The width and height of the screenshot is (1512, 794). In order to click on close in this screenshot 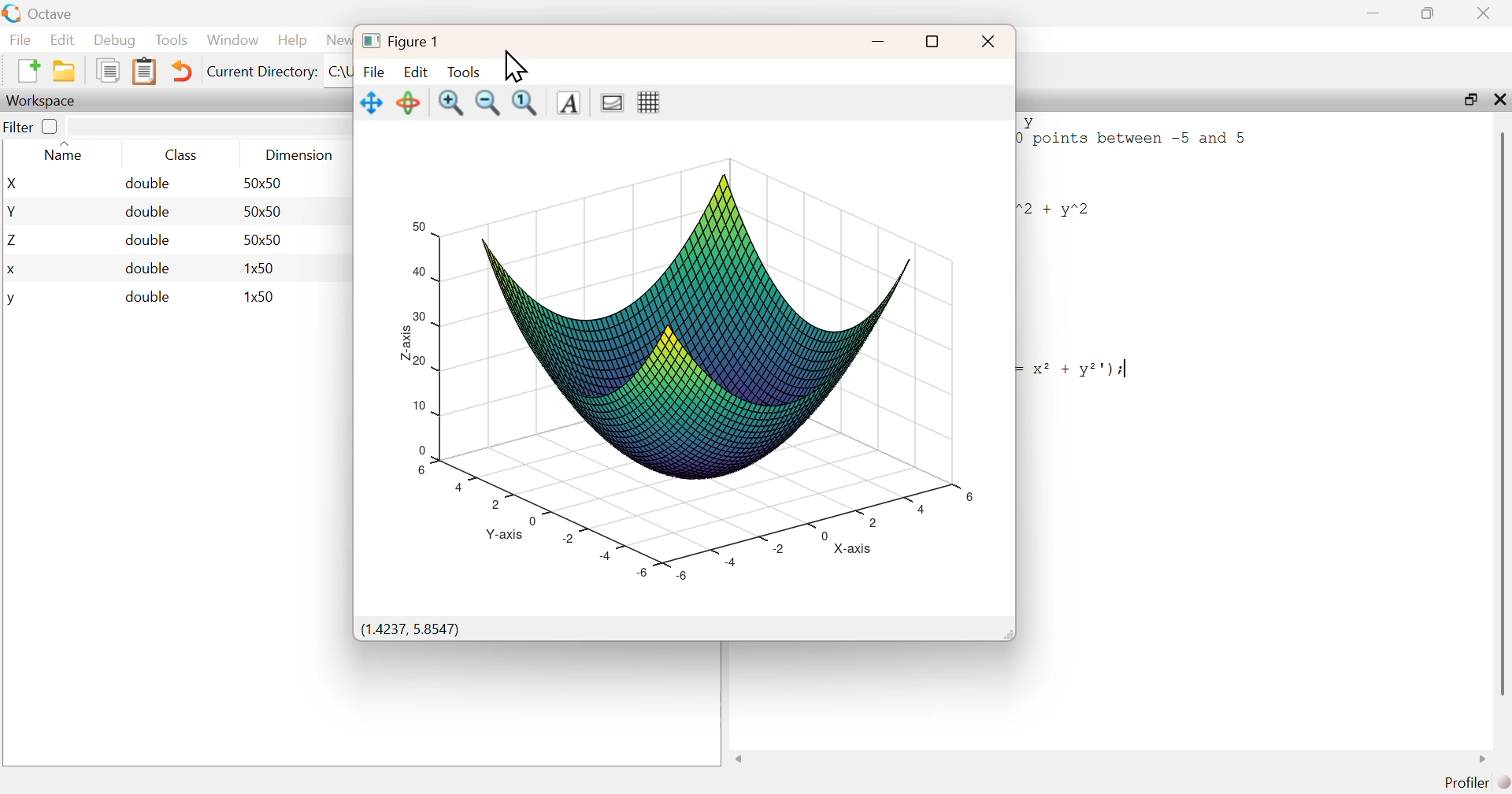, I will do `click(1486, 13)`.